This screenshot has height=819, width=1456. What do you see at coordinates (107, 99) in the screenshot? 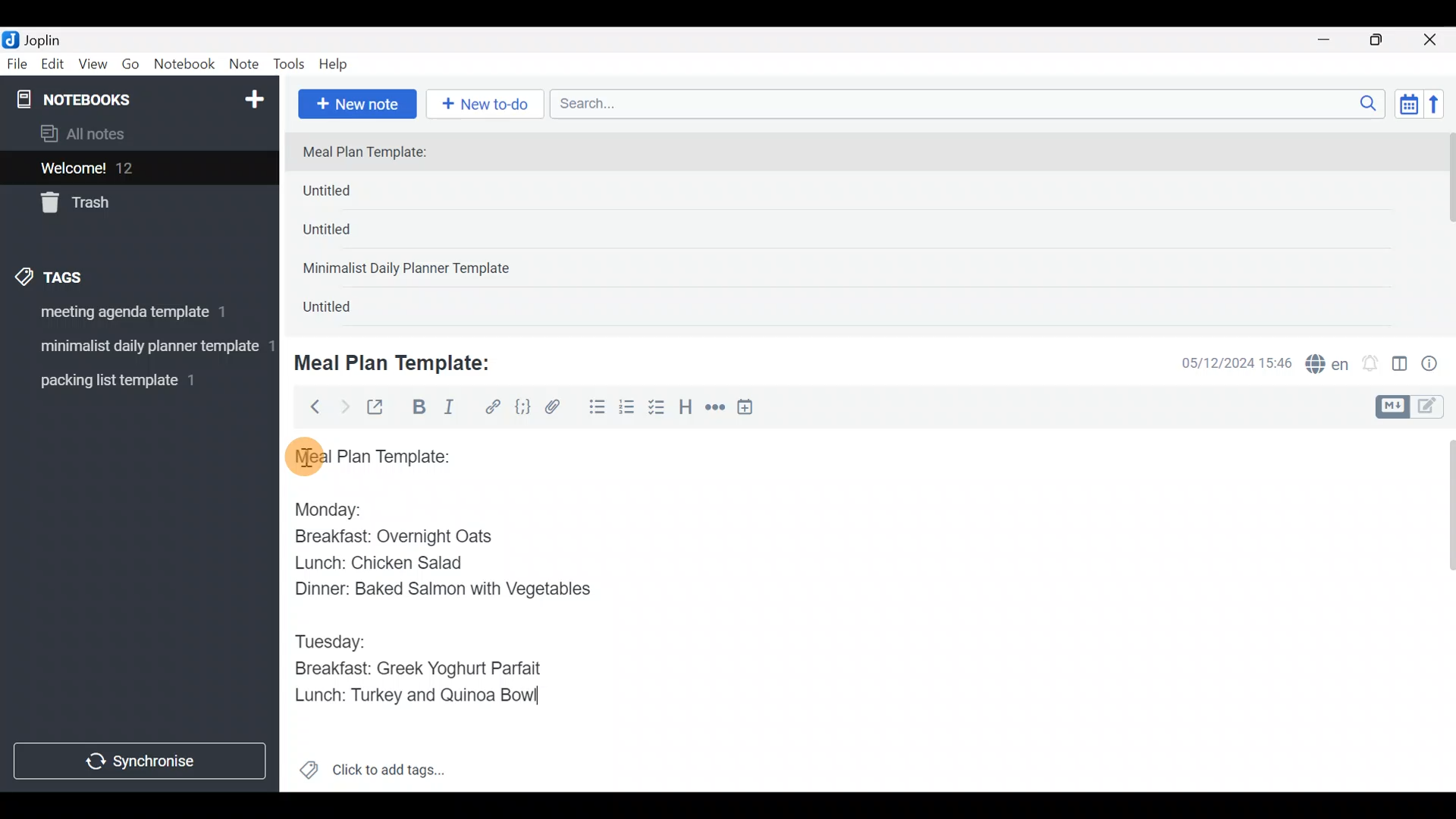
I see `Notebooks` at bounding box center [107, 99].